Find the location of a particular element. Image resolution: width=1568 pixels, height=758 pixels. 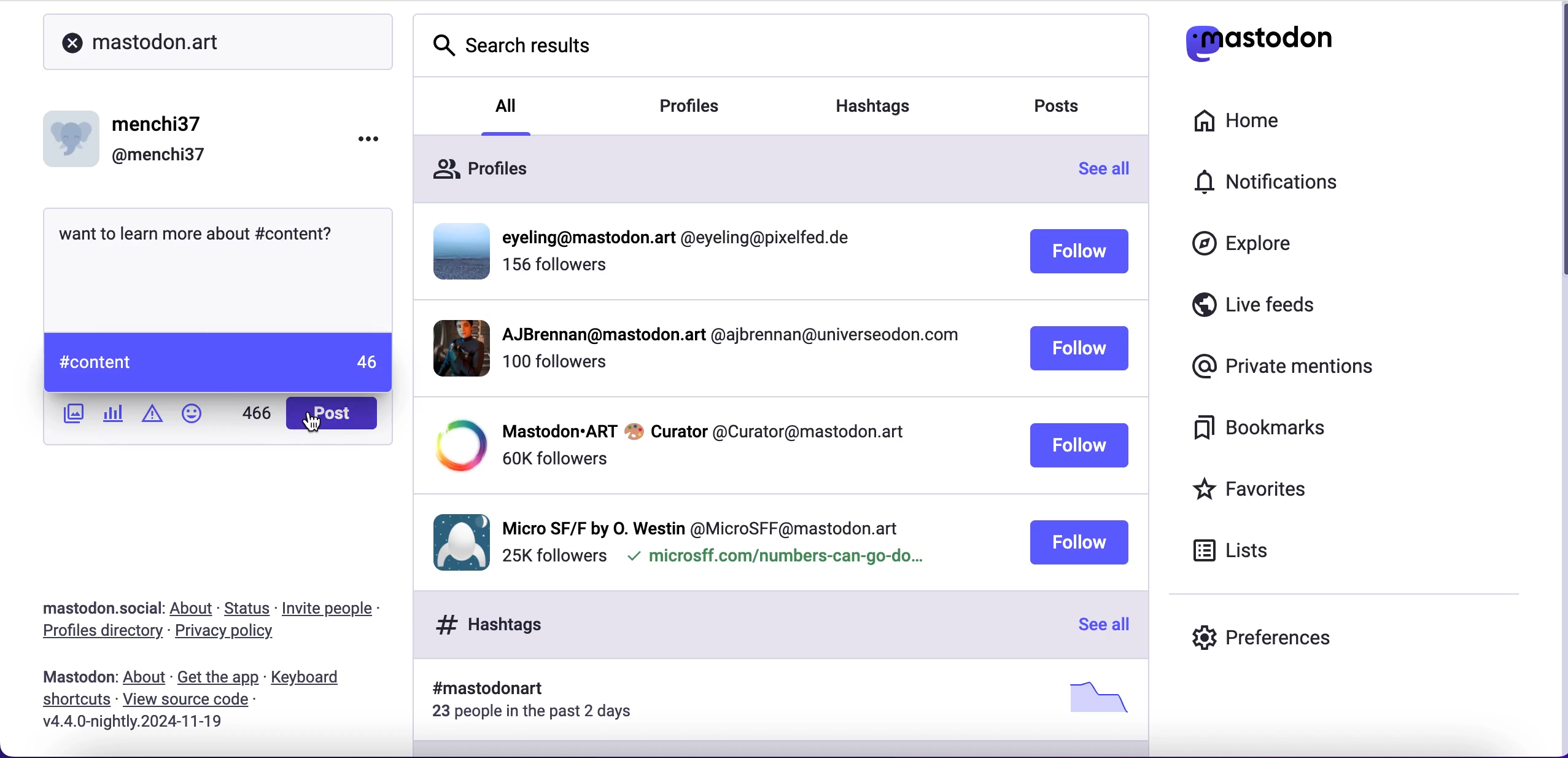

2024-11-19 is located at coordinates (138, 721).